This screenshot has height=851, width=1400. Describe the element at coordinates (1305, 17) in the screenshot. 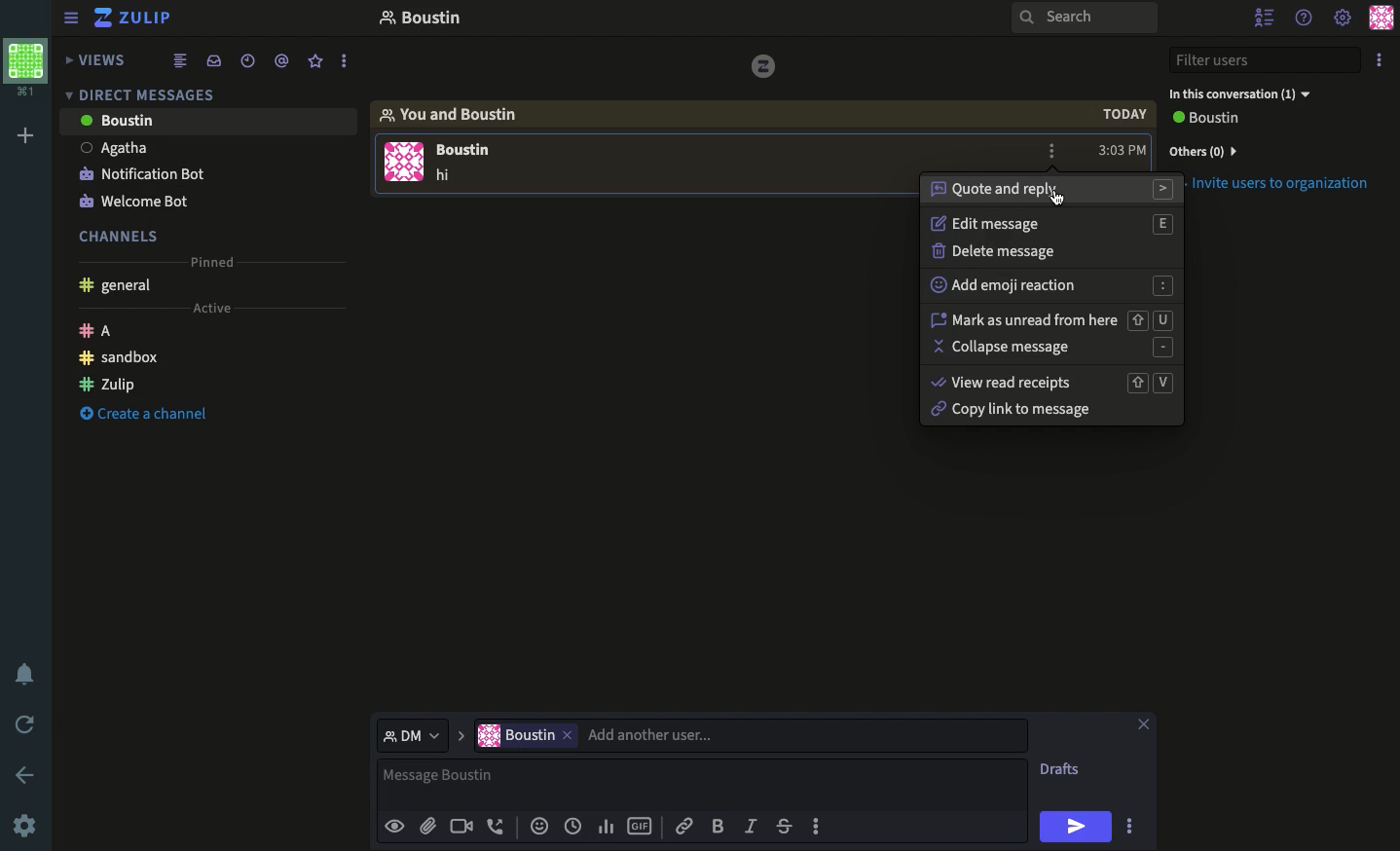

I see `Help` at that location.